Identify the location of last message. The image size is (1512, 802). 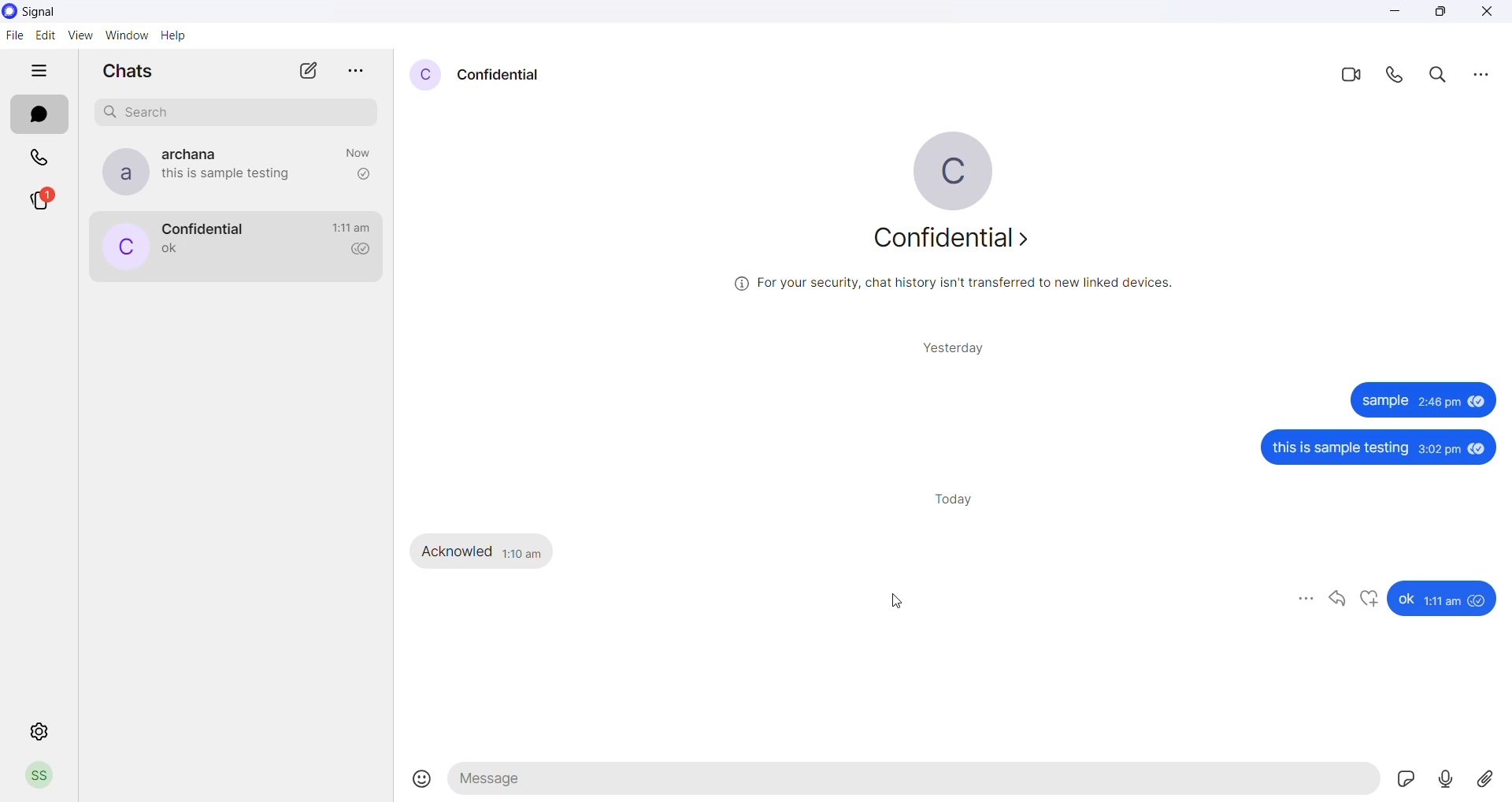
(171, 251).